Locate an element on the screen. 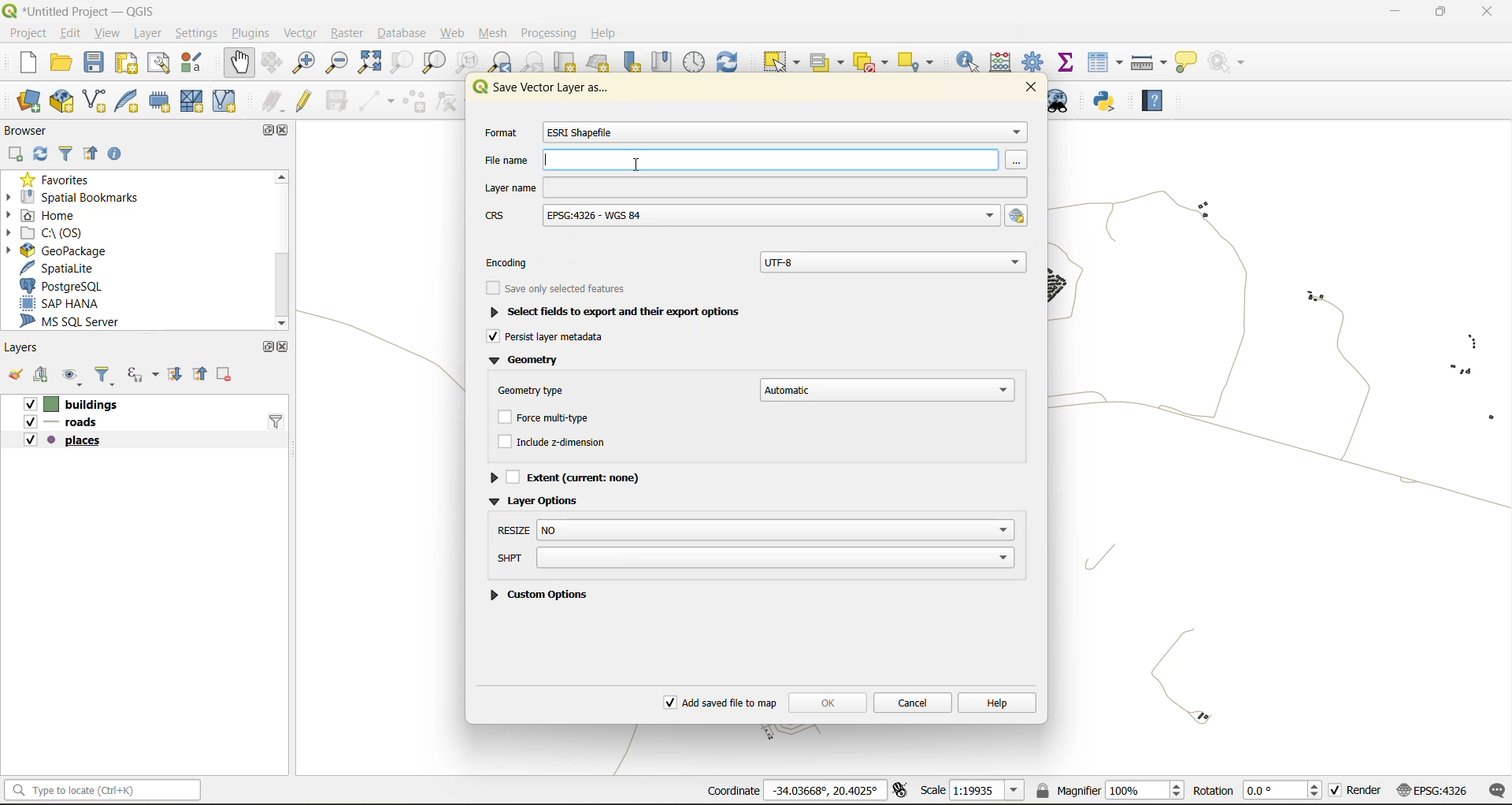  vertex tools is located at coordinates (454, 101).